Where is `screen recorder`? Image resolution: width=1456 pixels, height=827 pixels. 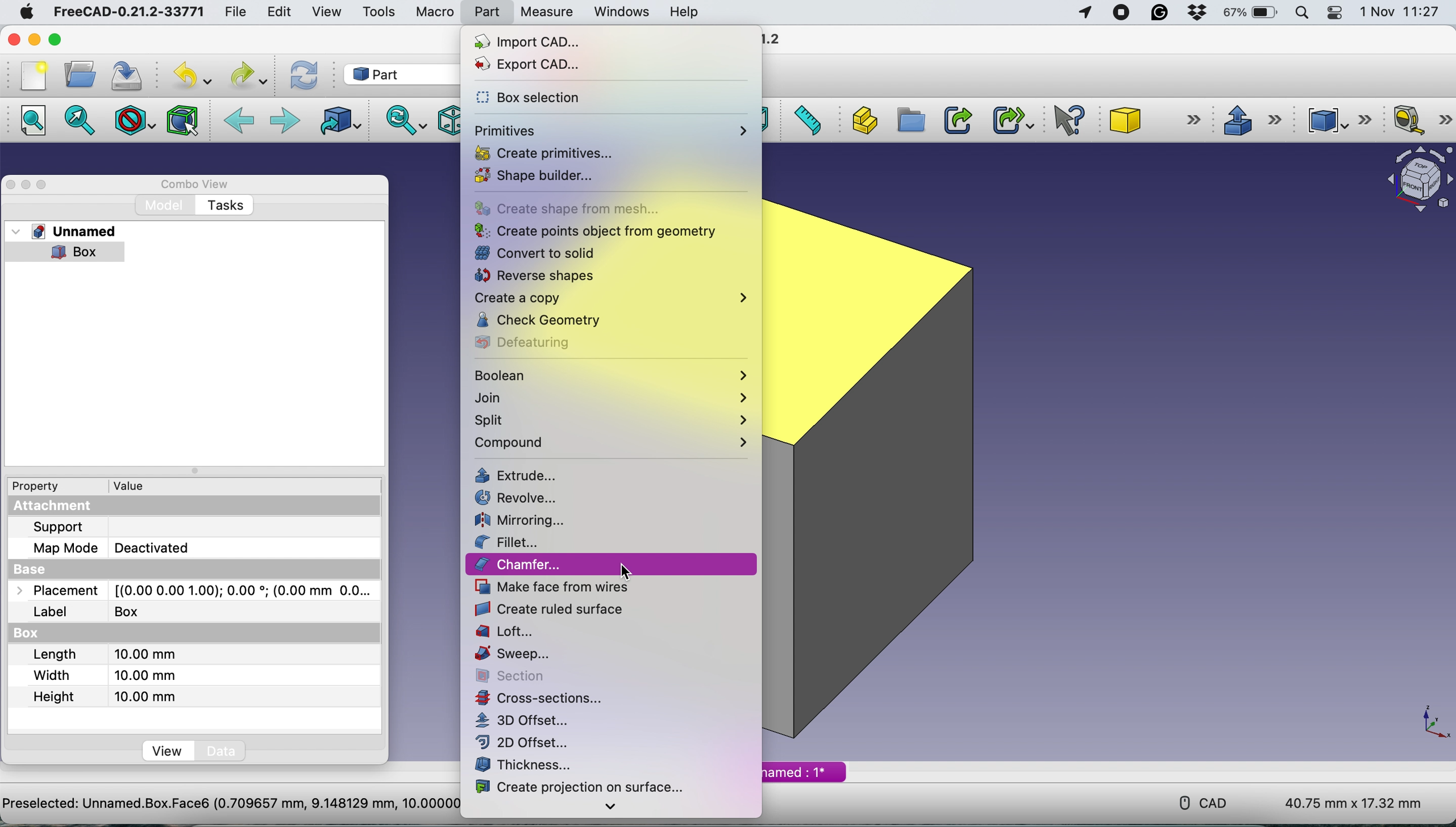
screen recorder is located at coordinates (1122, 12).